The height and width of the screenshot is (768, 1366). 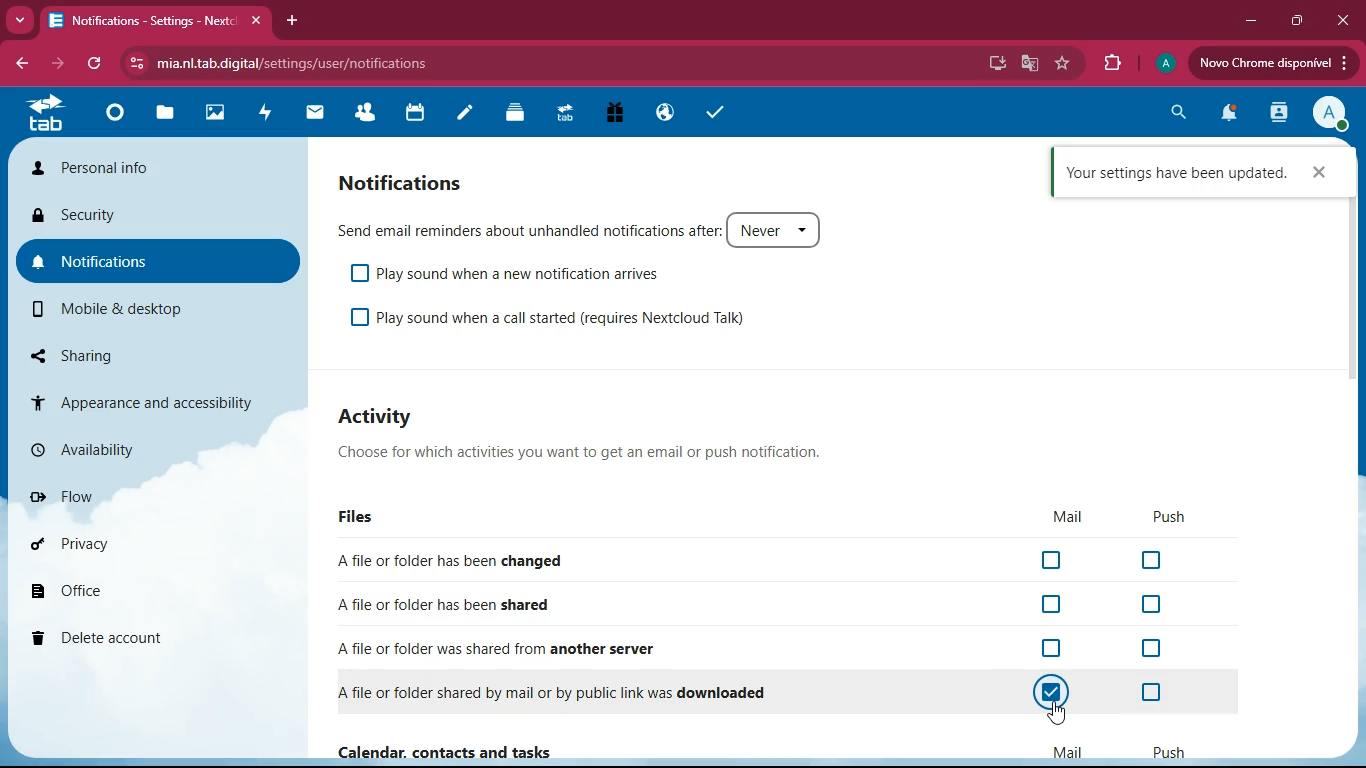 What do you see at coordinates (449, 753) in the screenshot?
I see `Calendar, contact and tasks` at bounding box center [449, 753].